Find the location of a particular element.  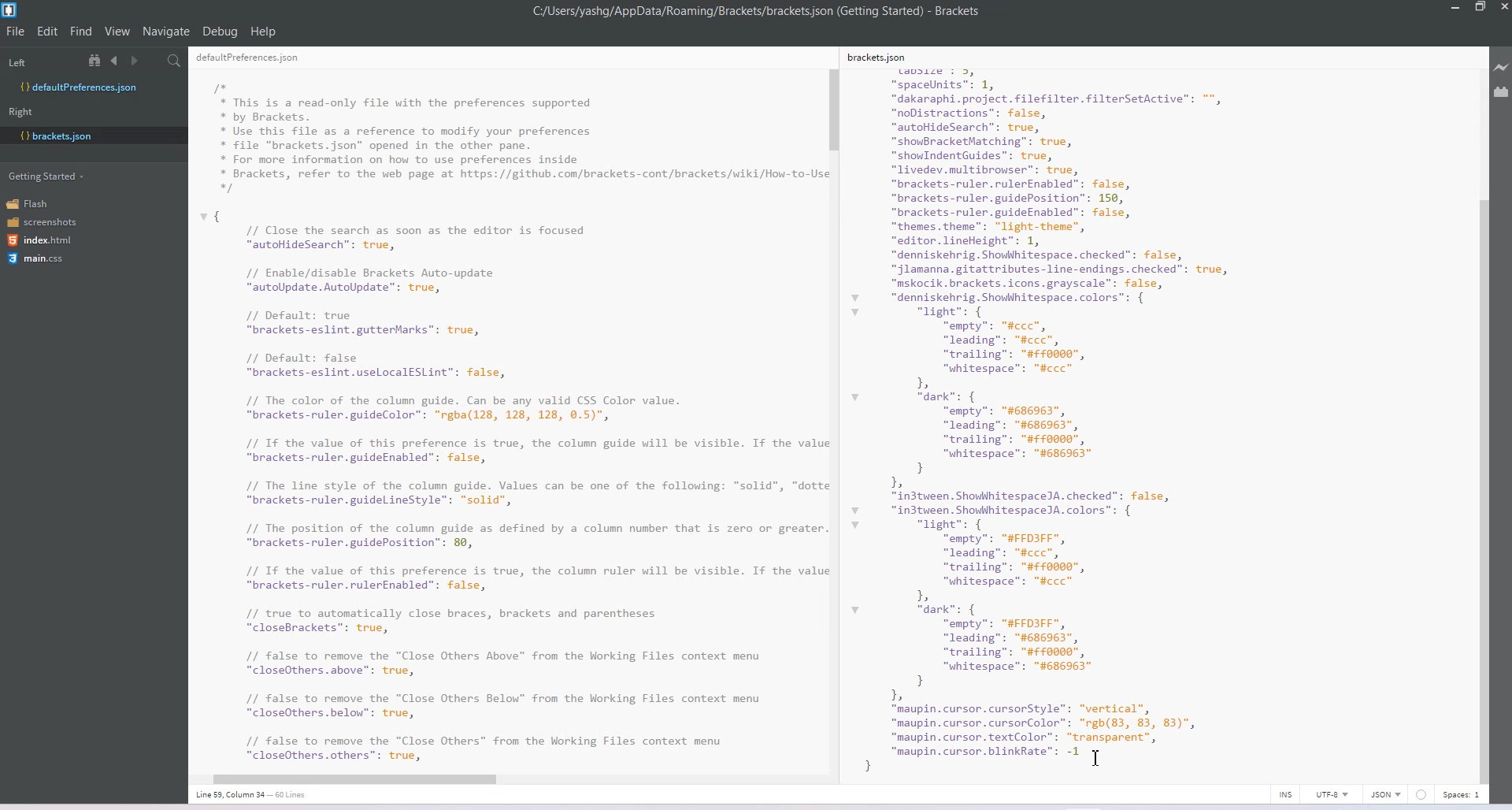

Find in Files is located at coordinates (176, 61).